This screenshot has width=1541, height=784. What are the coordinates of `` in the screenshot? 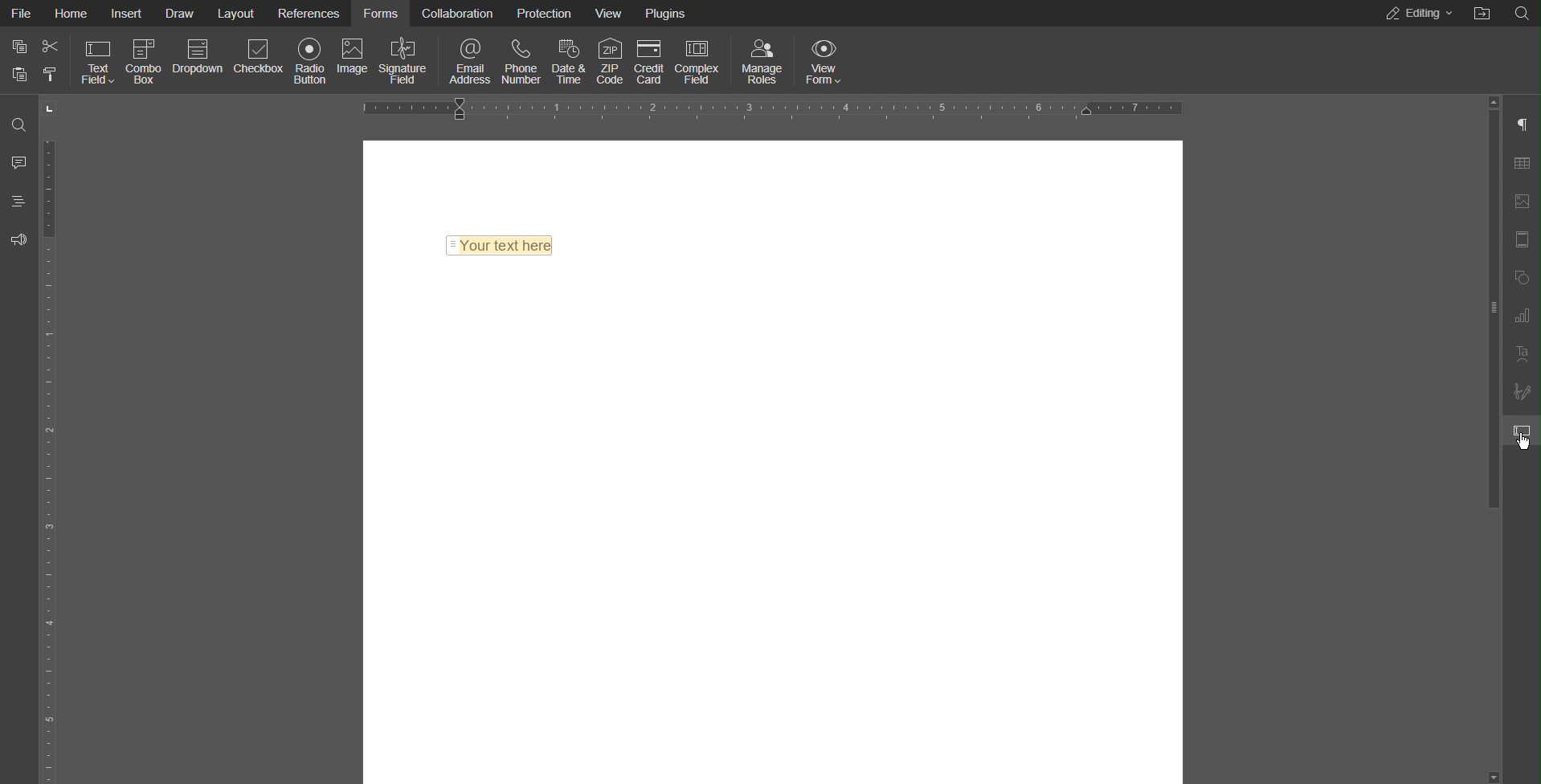 It's located at (1483, 15).